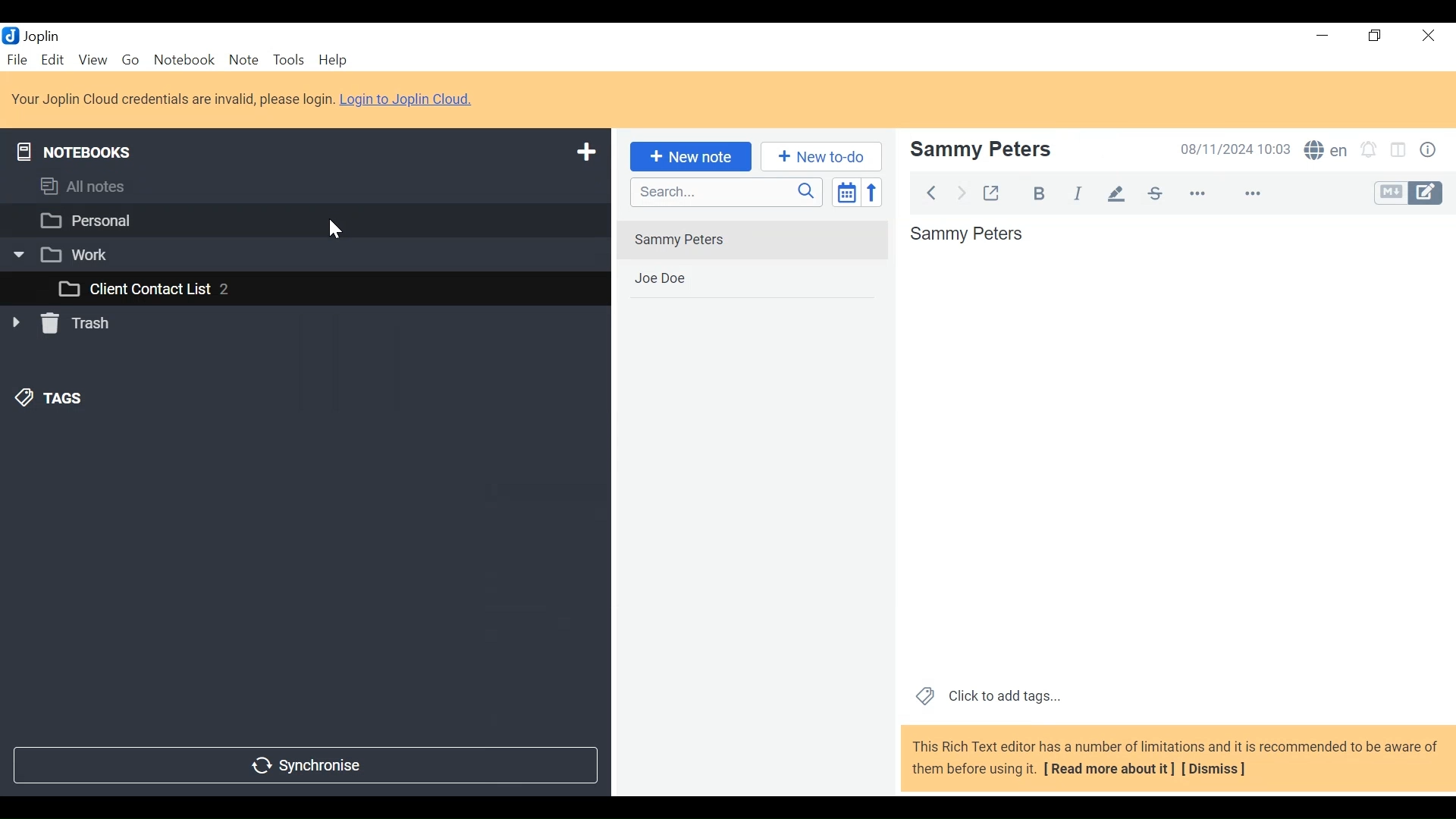 The height and width of the screenshot is (819, 1456). What do you see at coordinates (1432, 149) in the screenshot?
I see `` at bounding box center [1432, 149].